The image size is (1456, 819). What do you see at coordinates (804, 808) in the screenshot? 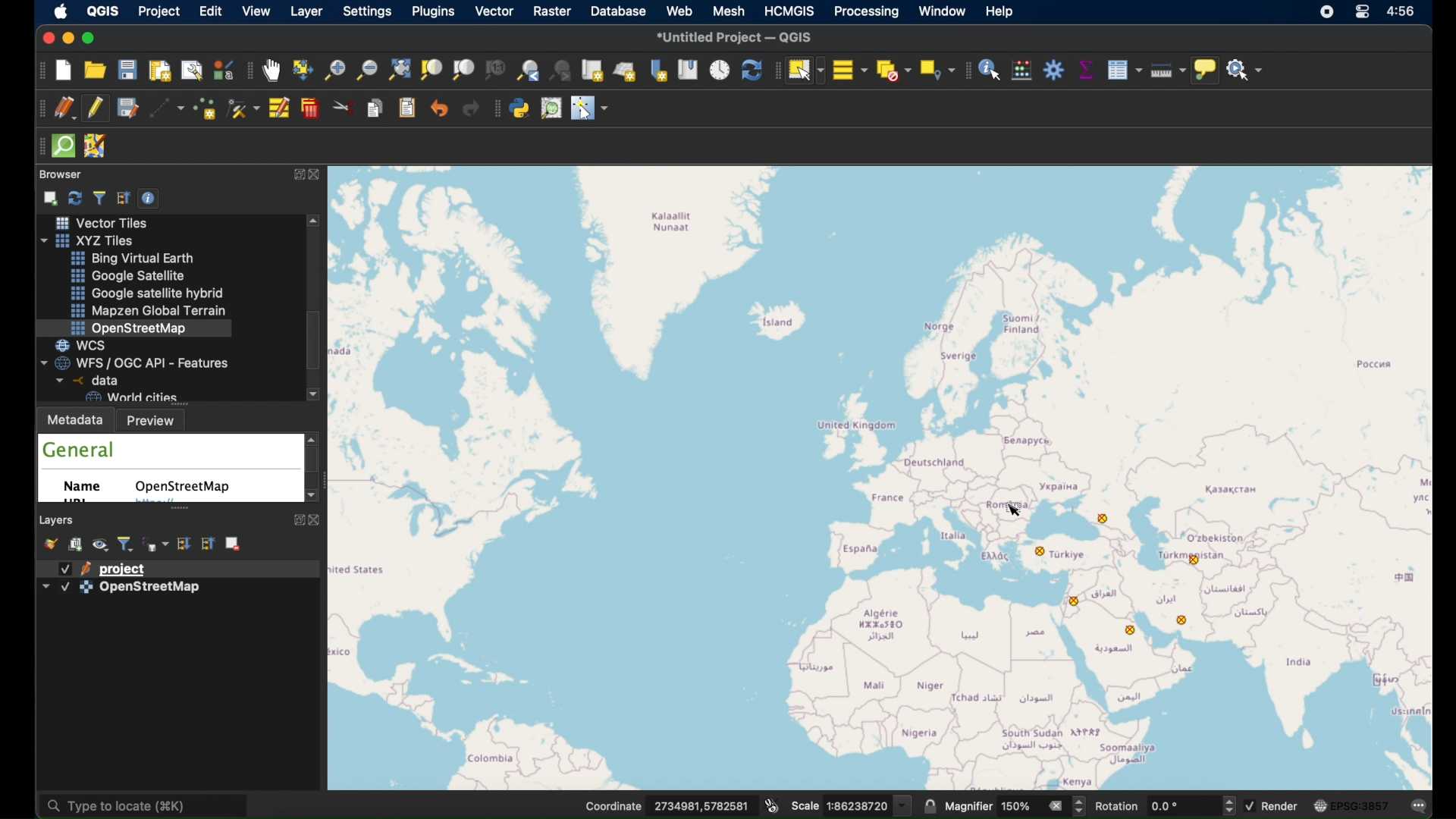
I see `scale` at bounding box center [804, 808].